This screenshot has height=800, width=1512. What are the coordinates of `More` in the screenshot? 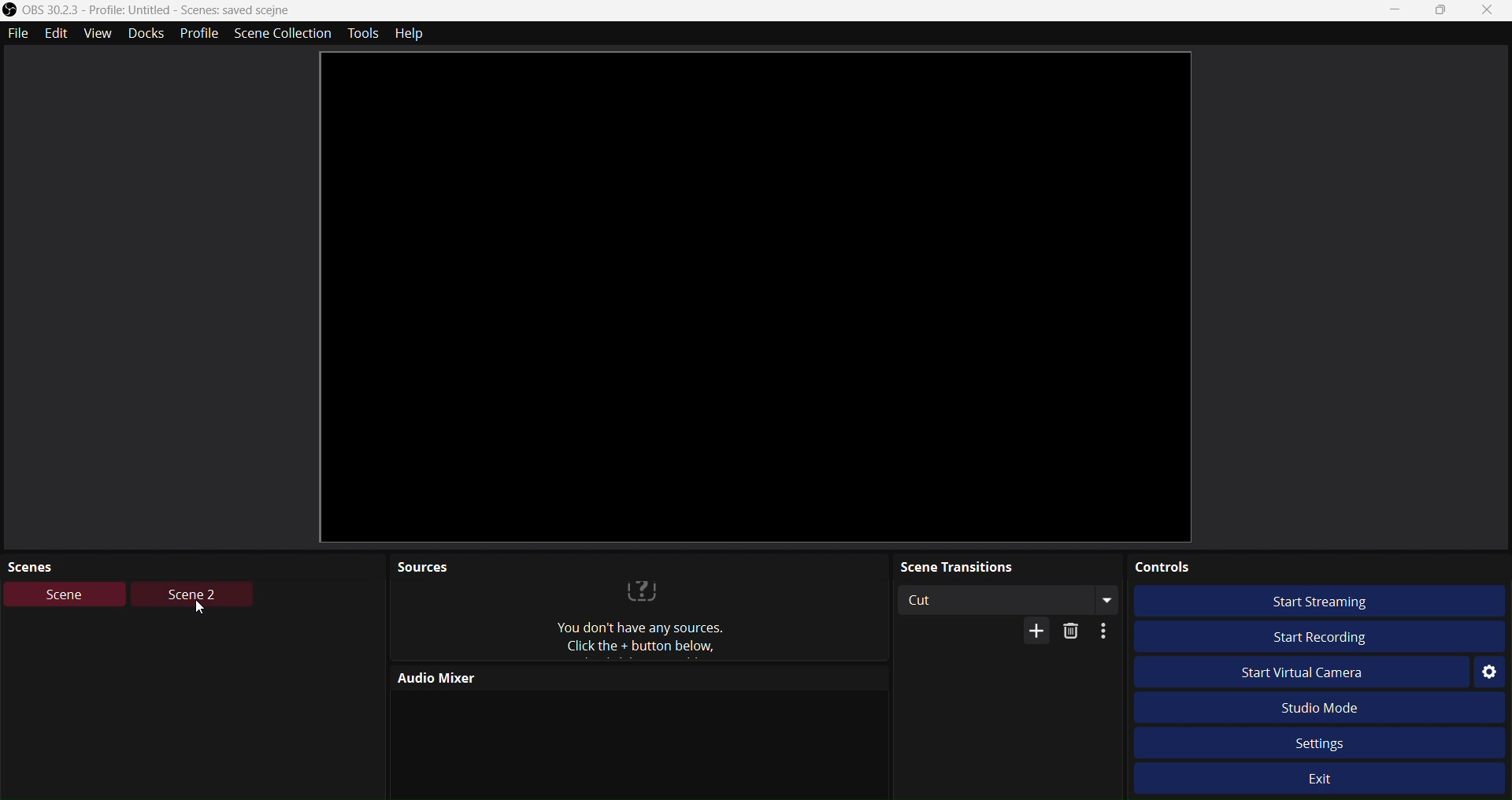 It's located at (1037, 632).